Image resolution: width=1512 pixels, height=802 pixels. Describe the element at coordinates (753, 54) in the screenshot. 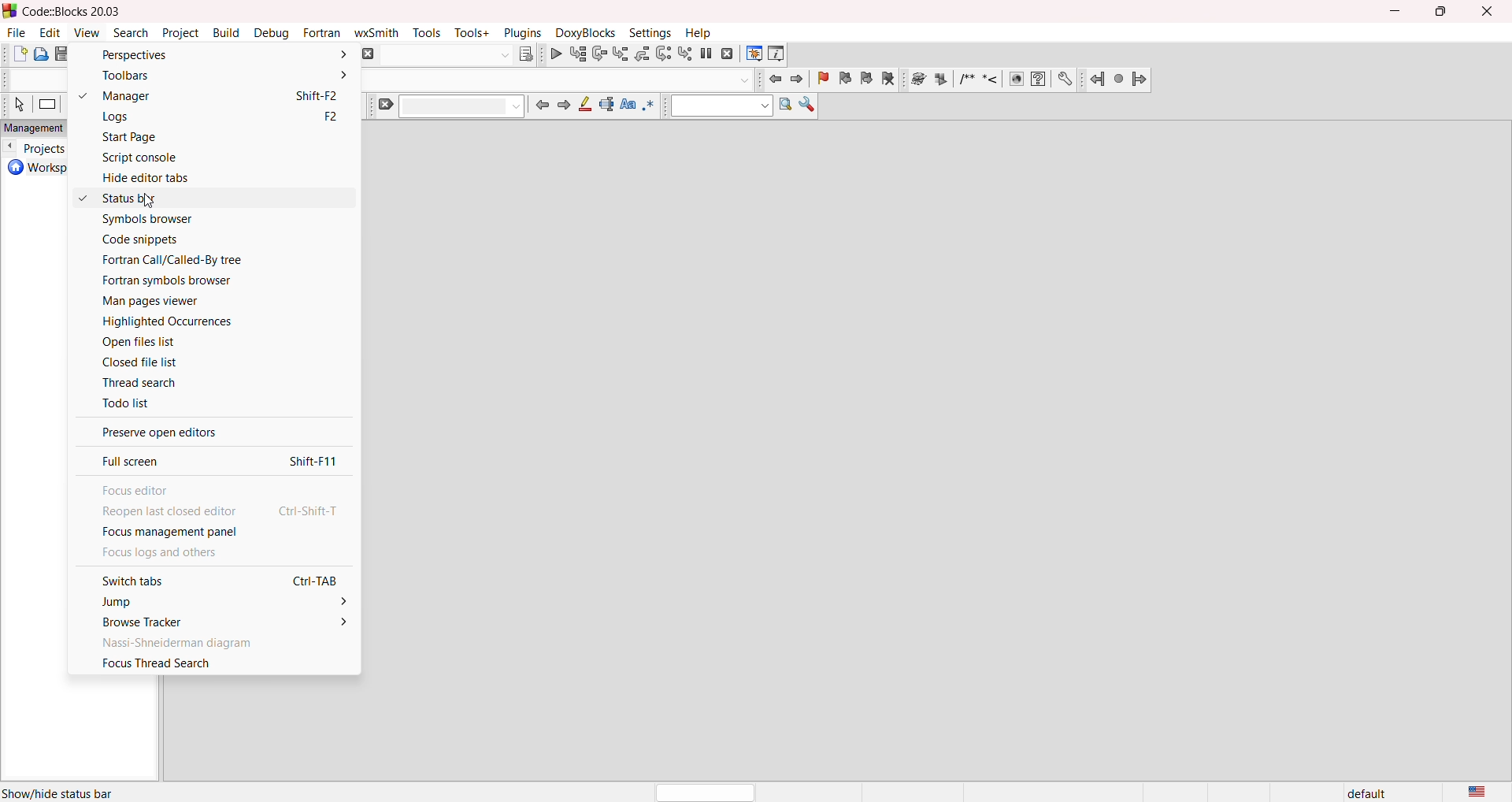

I see `debugging window ` at that location.